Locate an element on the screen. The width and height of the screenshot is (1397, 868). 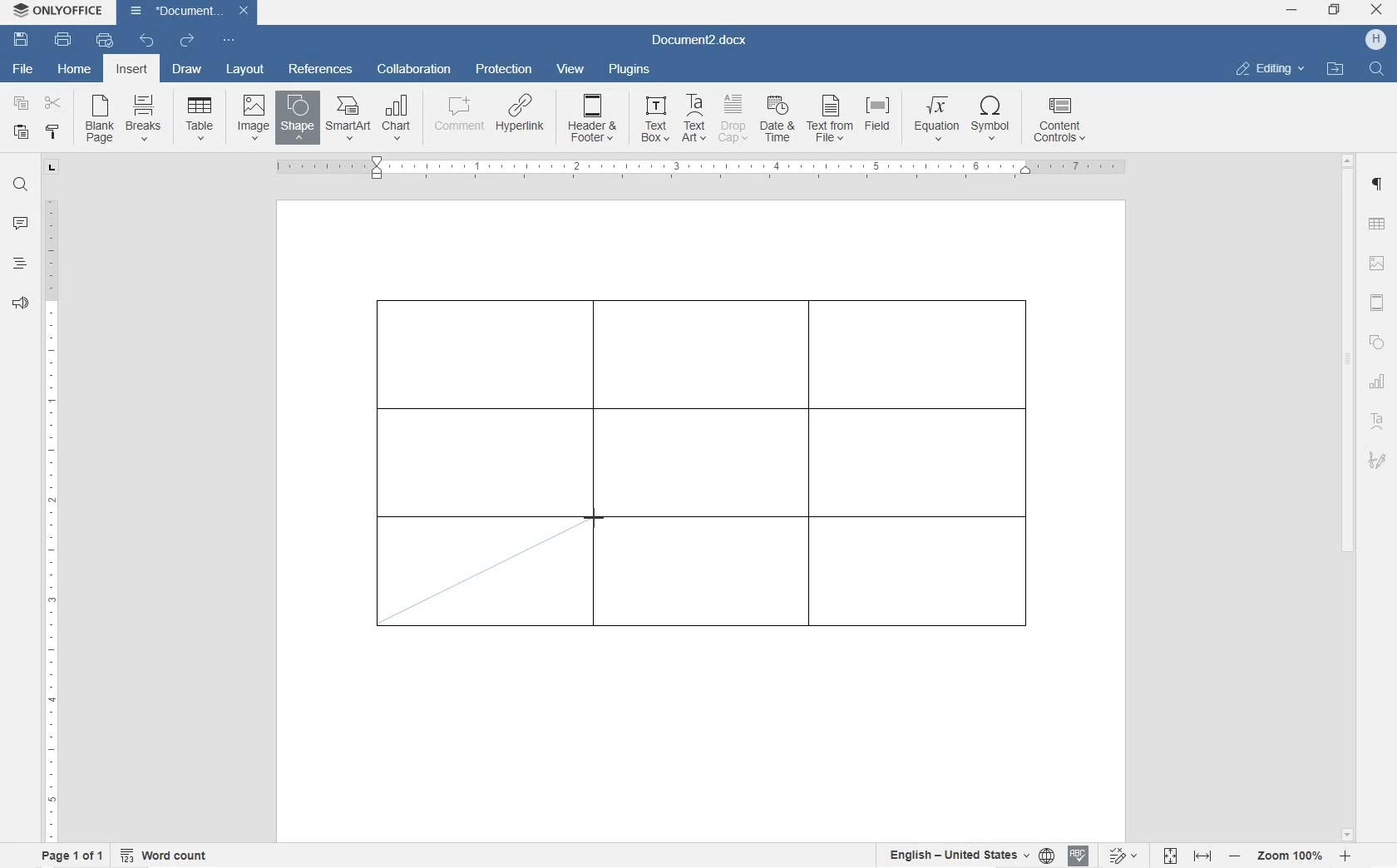
SmartArt is located at coordinates (348, 118).